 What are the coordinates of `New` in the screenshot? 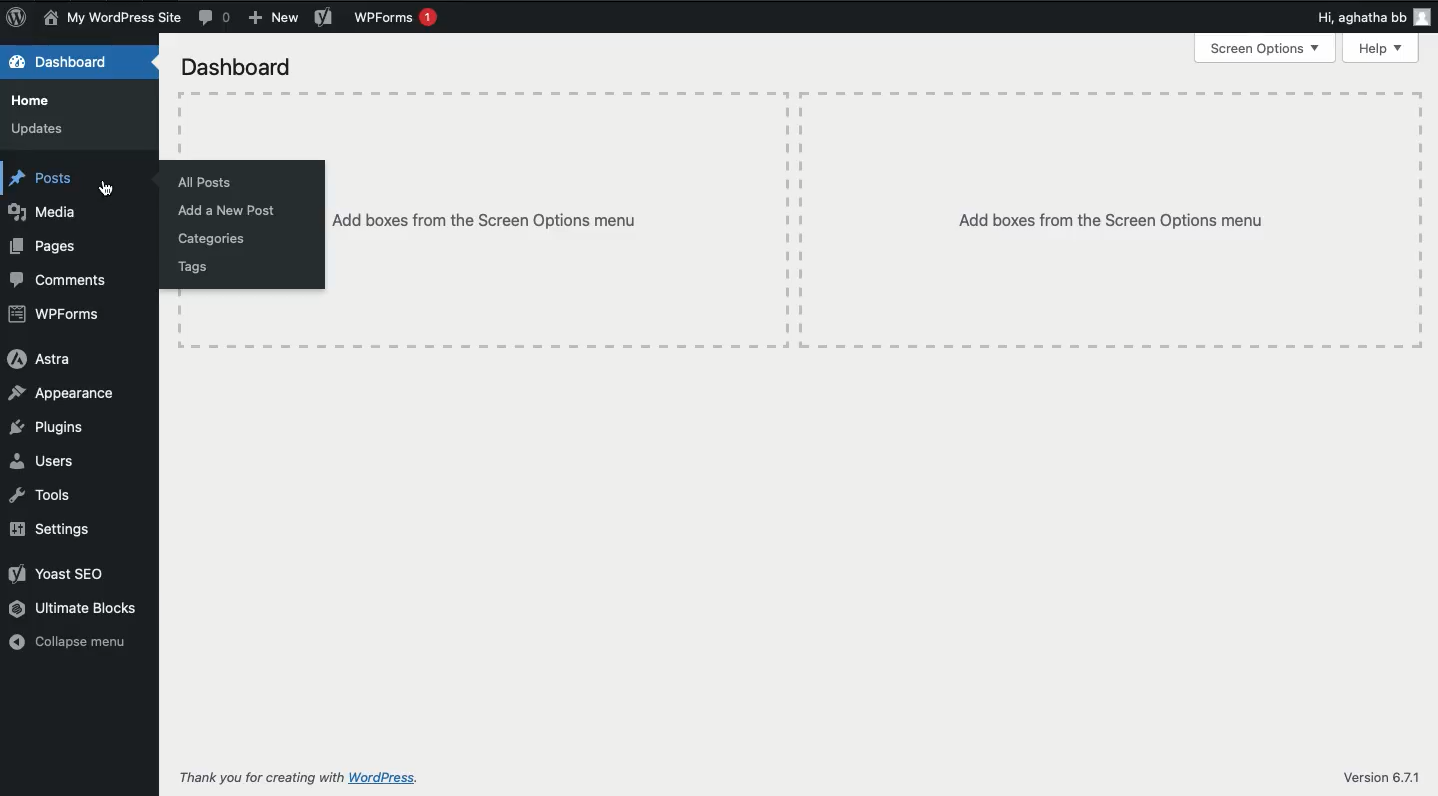 It's located at (273, 17).